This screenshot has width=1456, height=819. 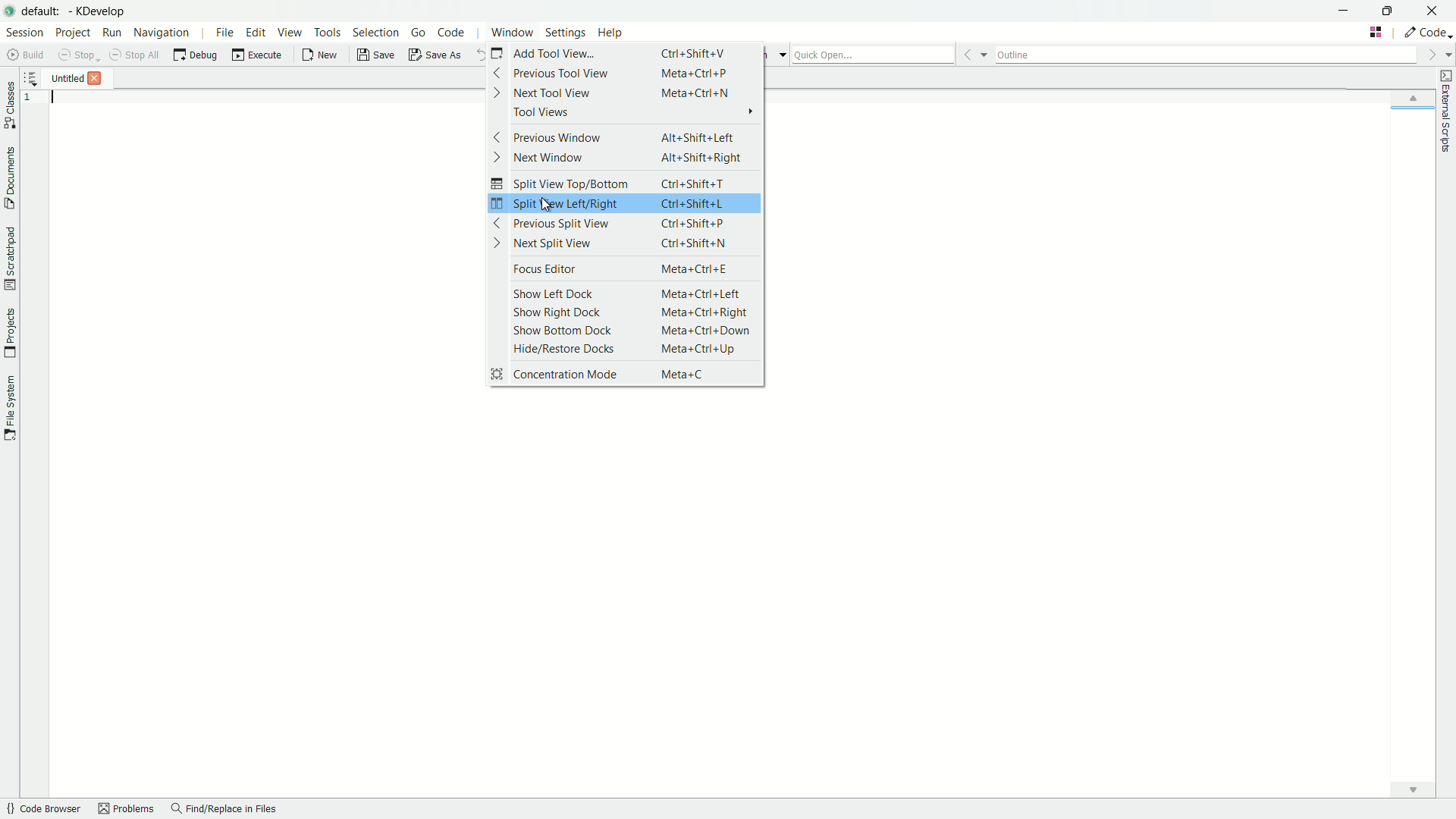 What do you see at coordinates (9, 411) in the screenshot?
I see `toggle file system` at bounding box center [9, 411].